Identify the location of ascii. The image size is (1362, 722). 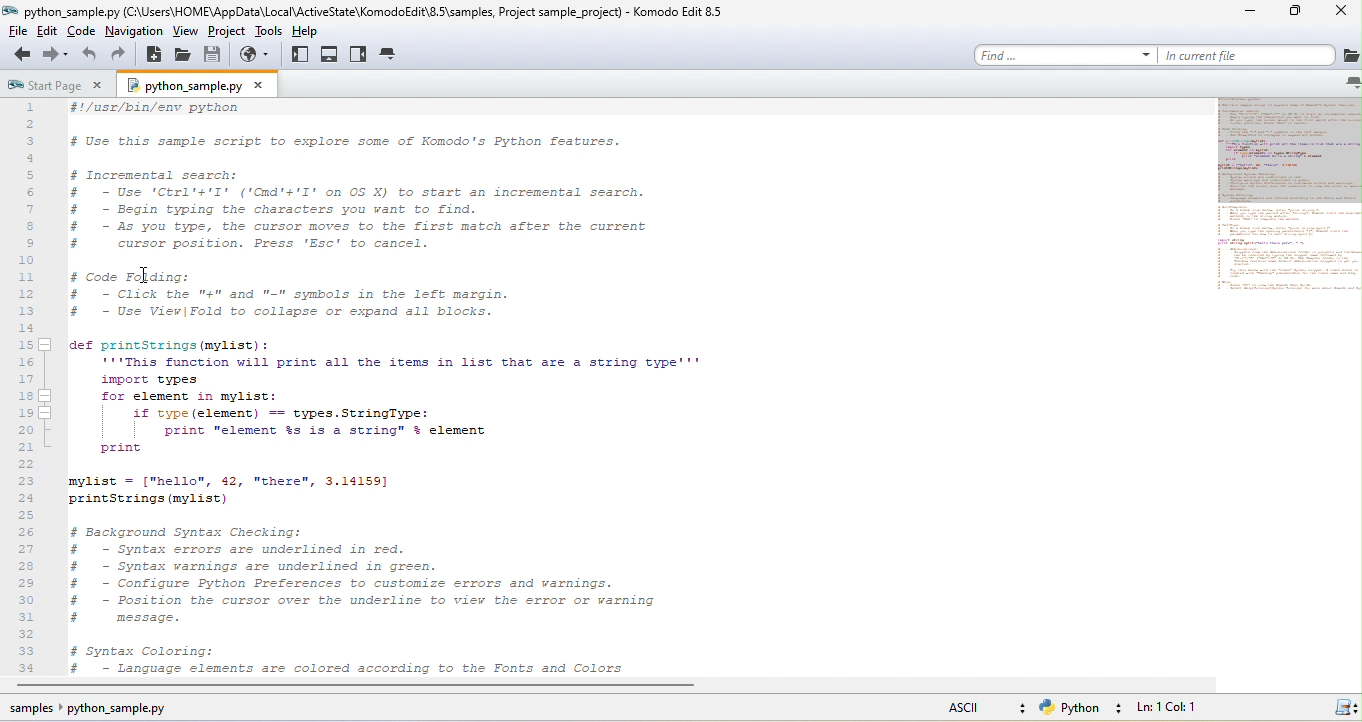
(985, 709).